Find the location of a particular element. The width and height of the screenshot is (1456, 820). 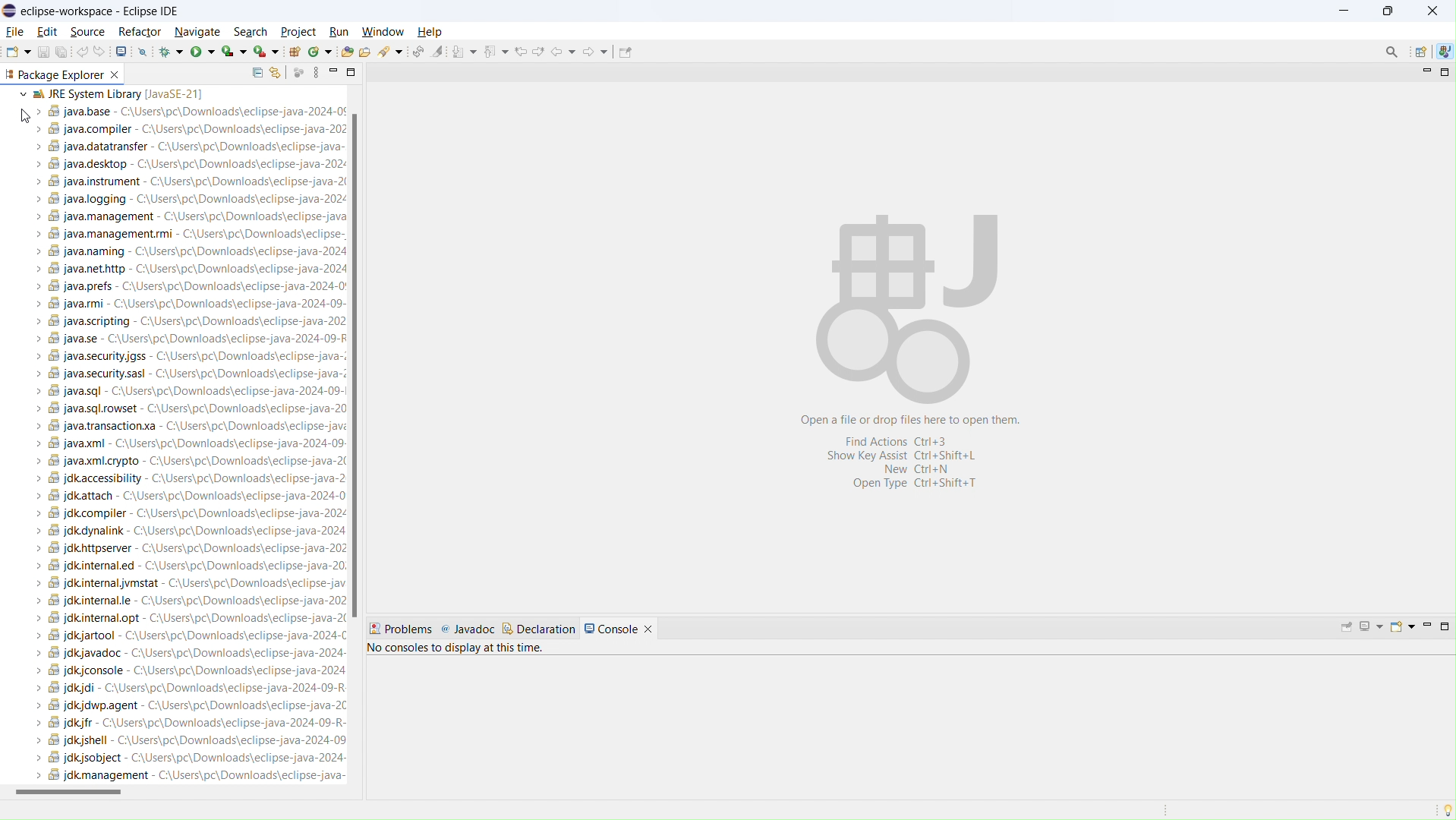

horizontal scroll bar is located at coordinates (184, 796).